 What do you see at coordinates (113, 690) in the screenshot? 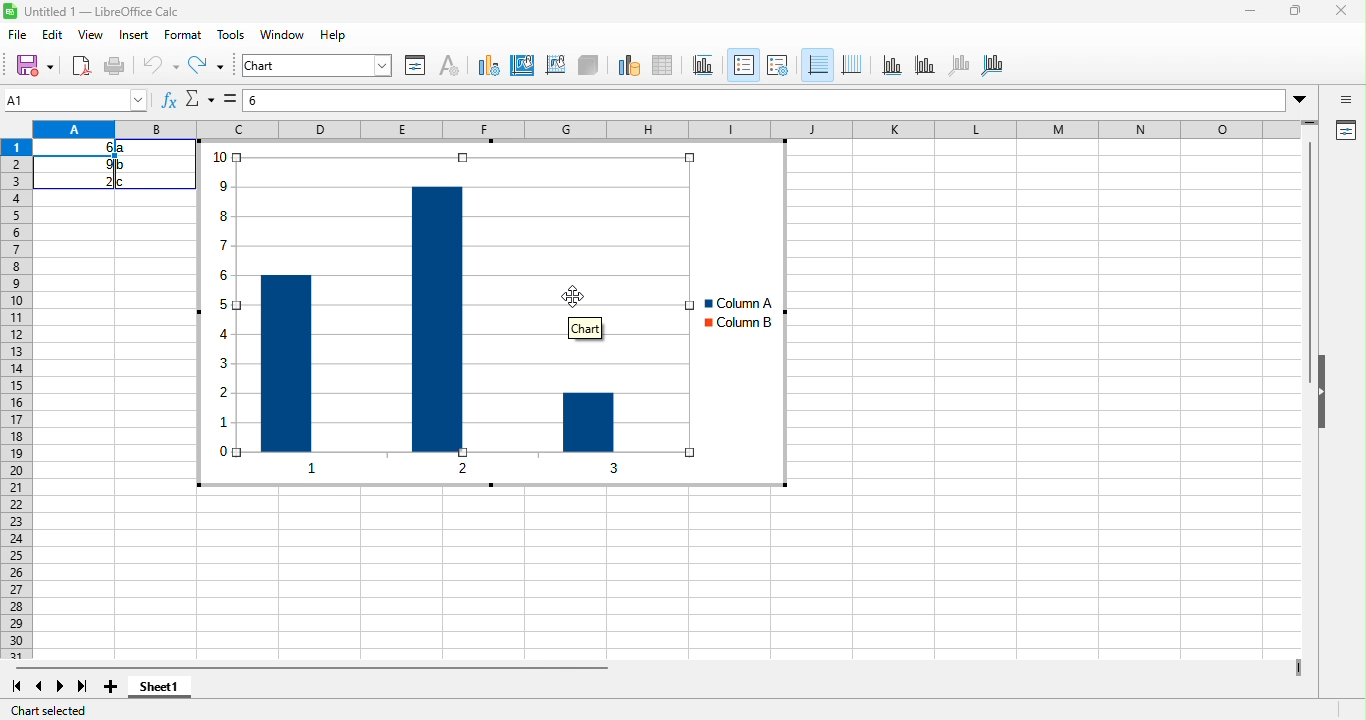
I see `new sheet` at bounding box center [113, 690].